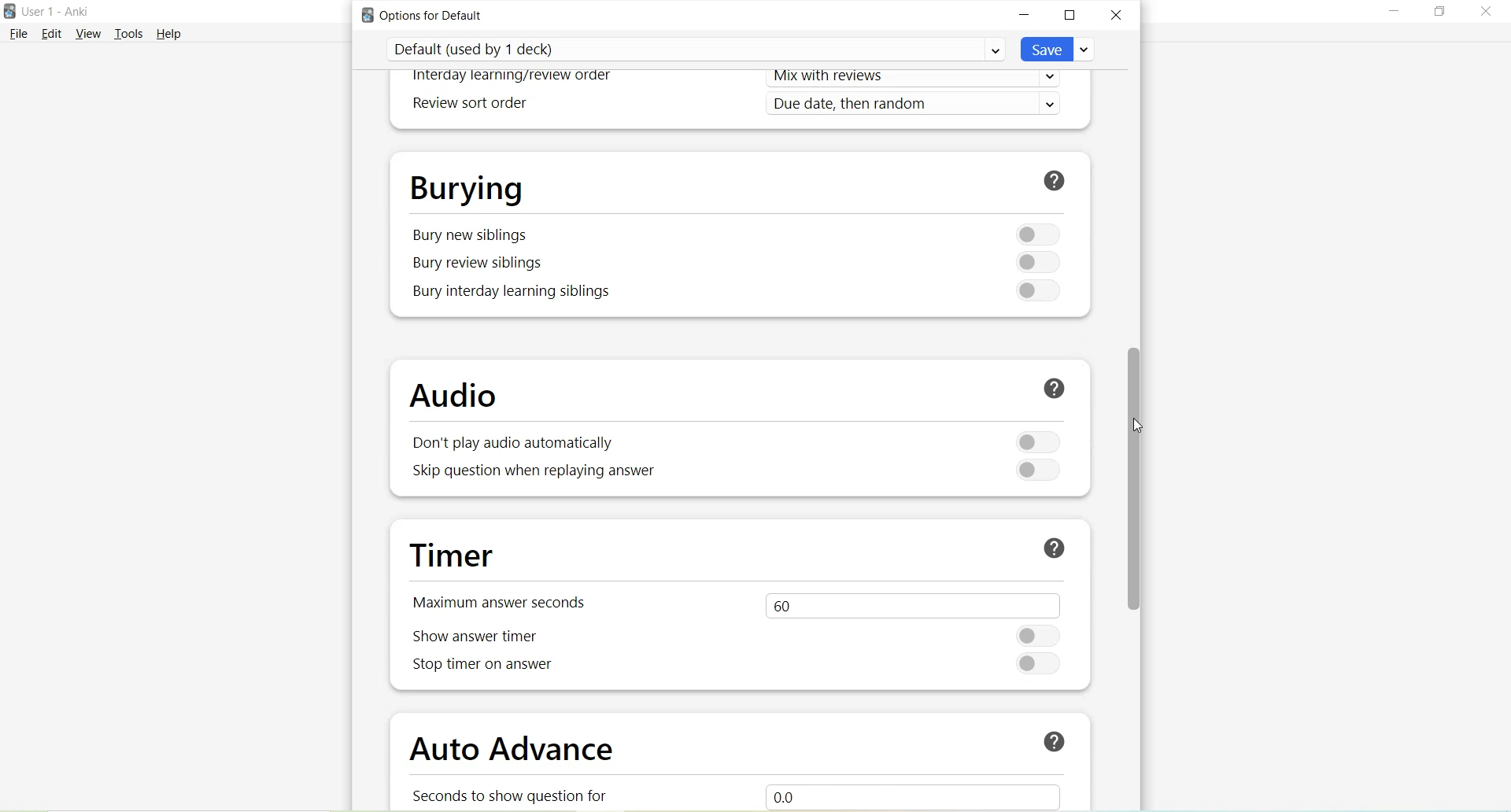 Image resolution: width=1511 pixels, height=812 pixels. What do you see at coordinates (482, 668) in the screenshot?
I see `Stop timer on answer` at bounding box center [482, 668].